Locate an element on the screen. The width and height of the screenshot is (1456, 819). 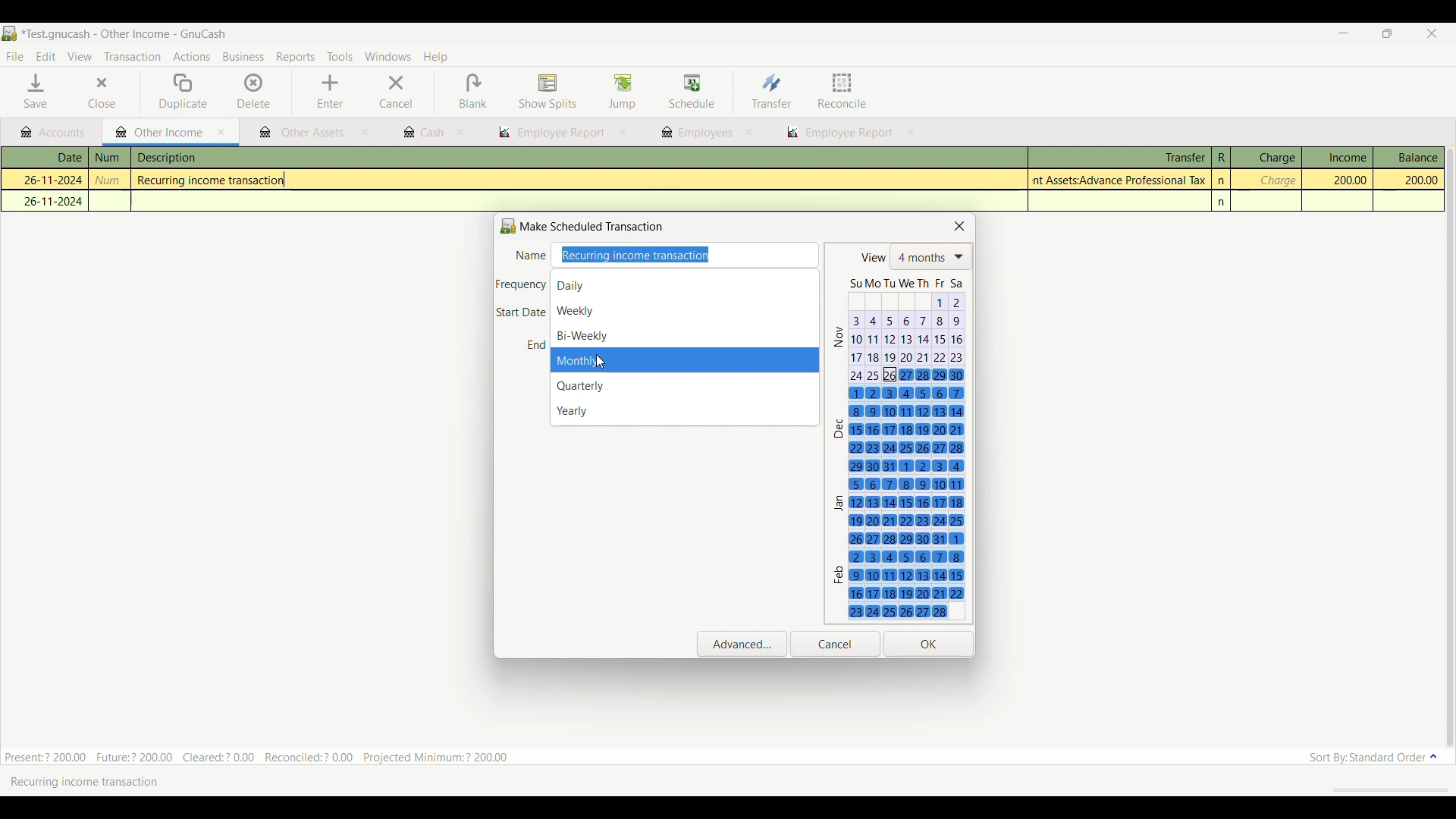
Name is located at coordinates (530, 256).